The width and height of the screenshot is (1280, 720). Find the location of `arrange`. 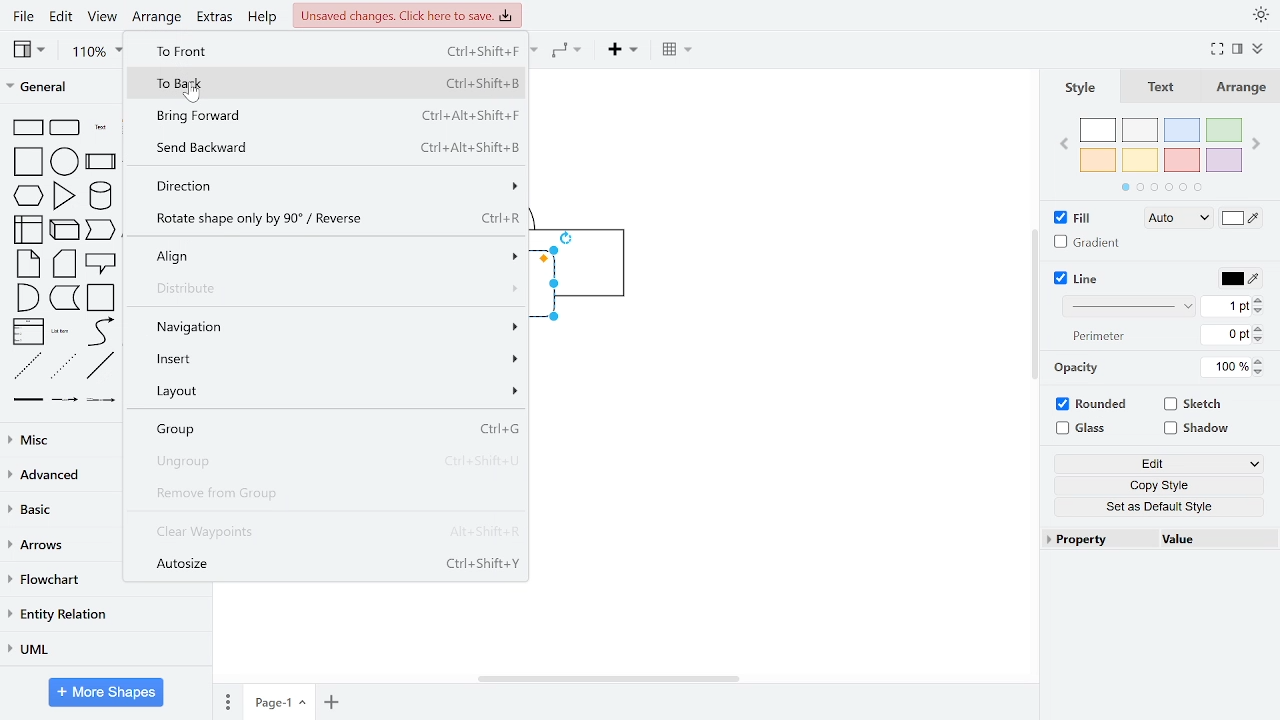

arrange is located at coordinates (159, 19).